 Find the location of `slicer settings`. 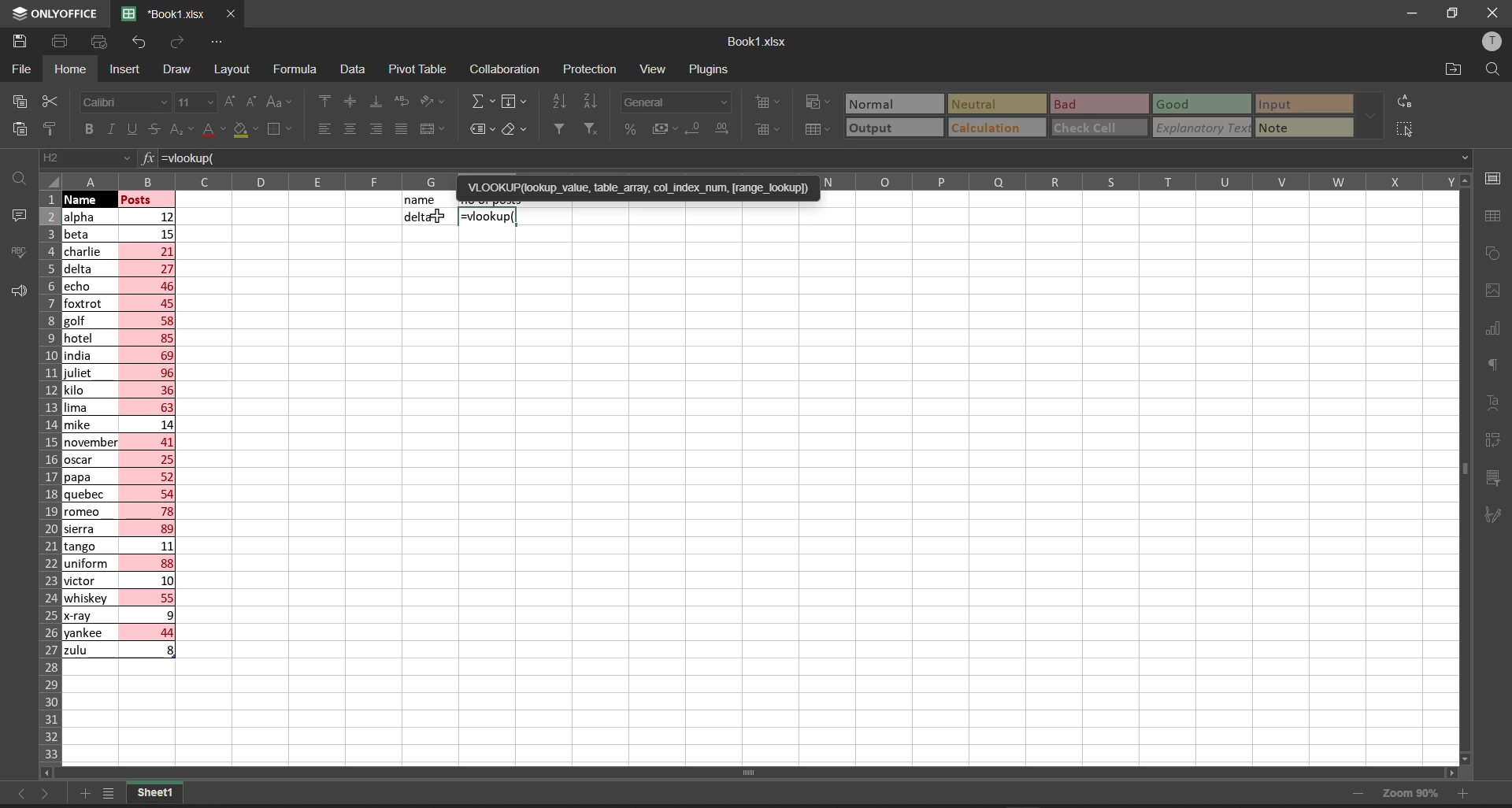

slicer settings is located at coordinates (1501, 474).